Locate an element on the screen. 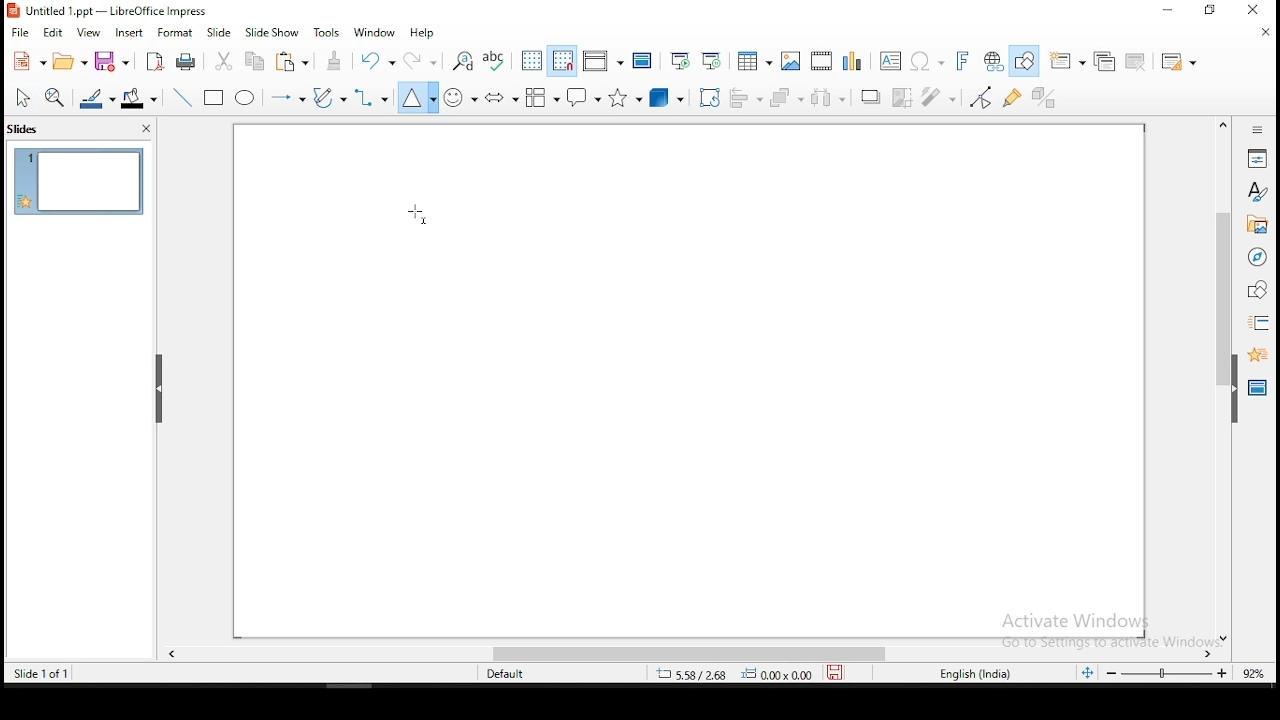 The width and height of the screenshot is (1280, 720). flowchart is located at coordinates (543, 97).